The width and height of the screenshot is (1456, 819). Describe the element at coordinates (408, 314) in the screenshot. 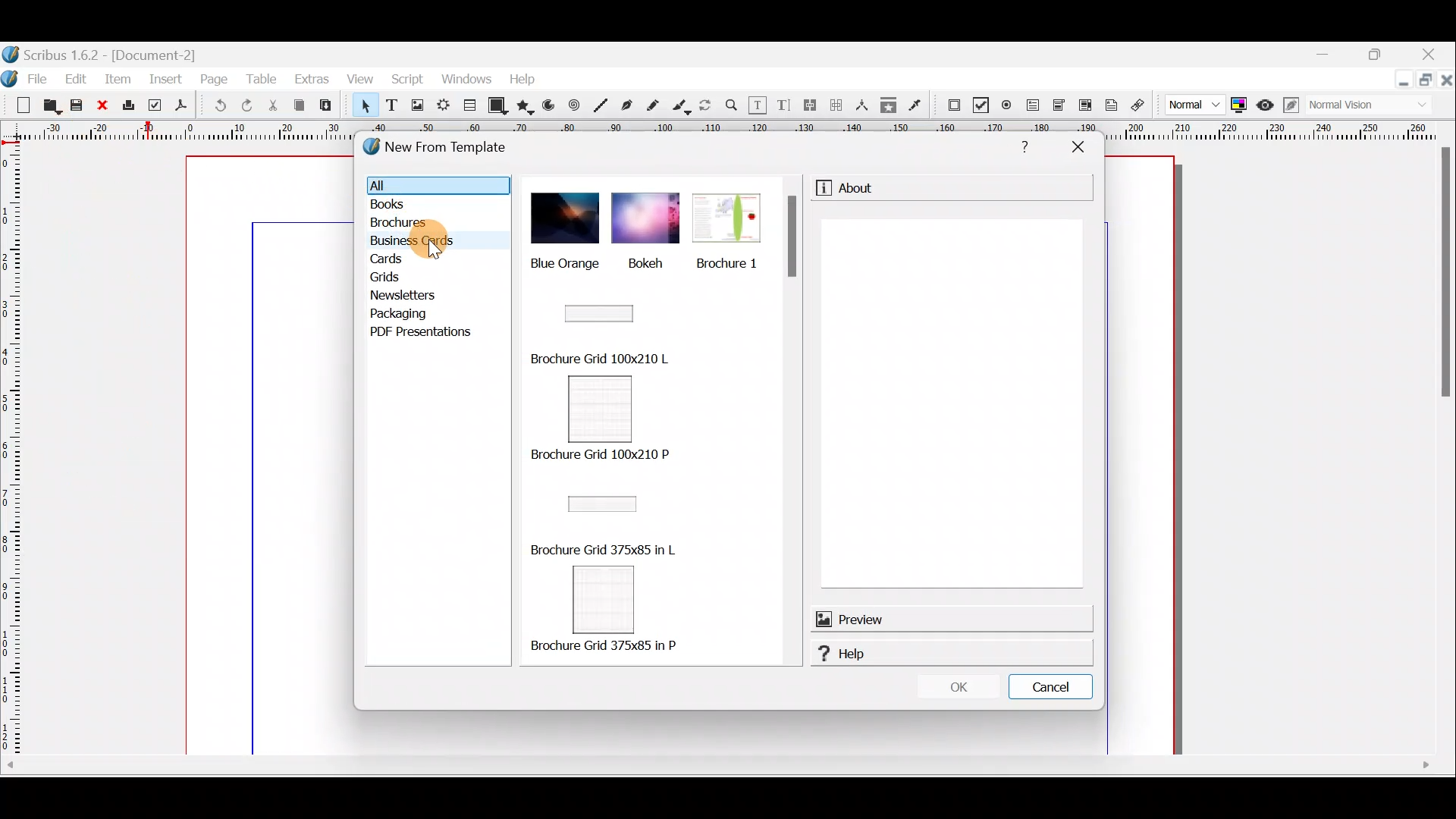

I see `Packaging` at that location.